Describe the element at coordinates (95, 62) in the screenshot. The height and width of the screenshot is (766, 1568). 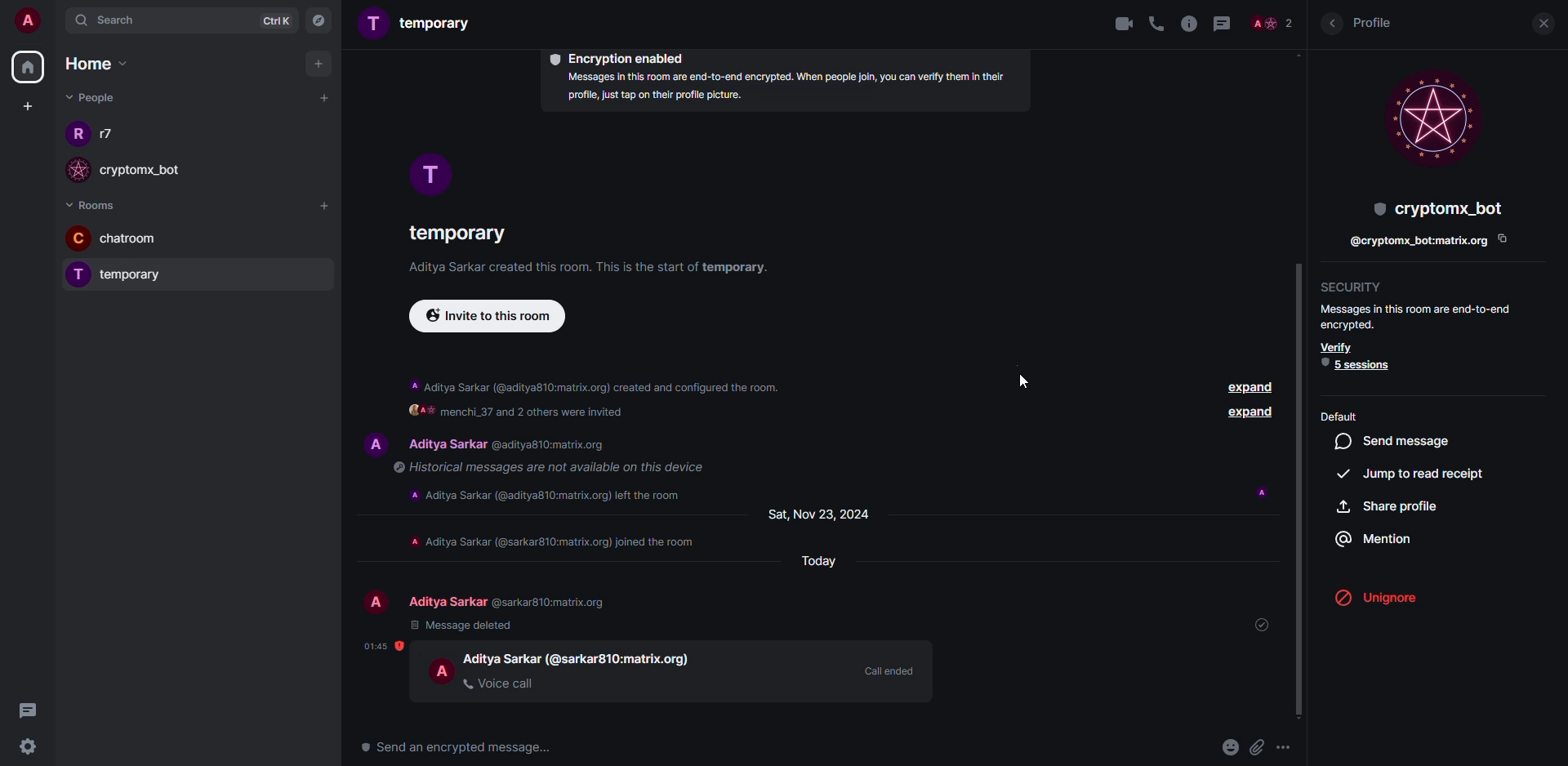
I see `home` at that location.